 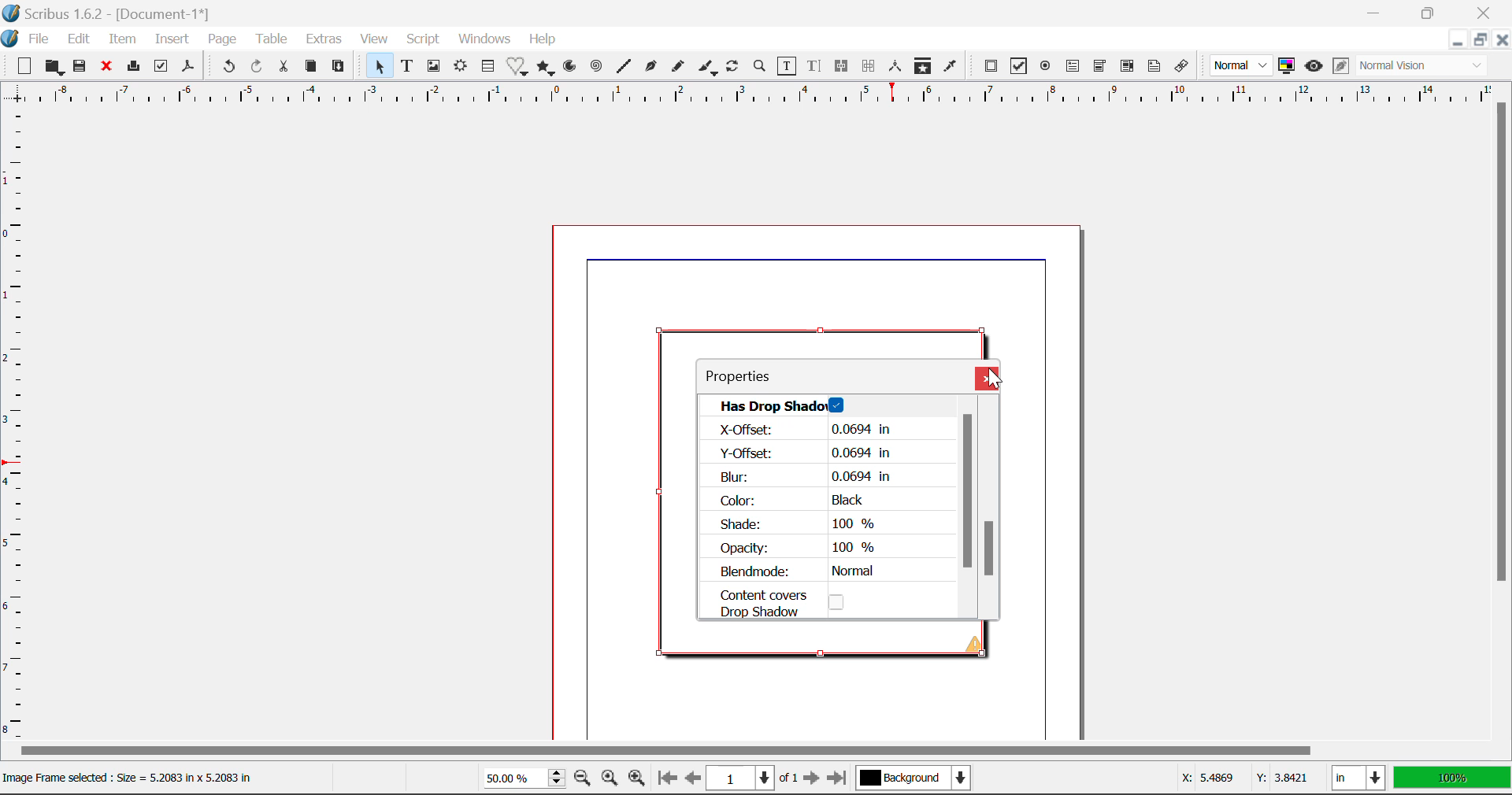 What do you see at coordinates (917, 779) in the screenshot?
I see `Background` at bounding box center [917, 779].